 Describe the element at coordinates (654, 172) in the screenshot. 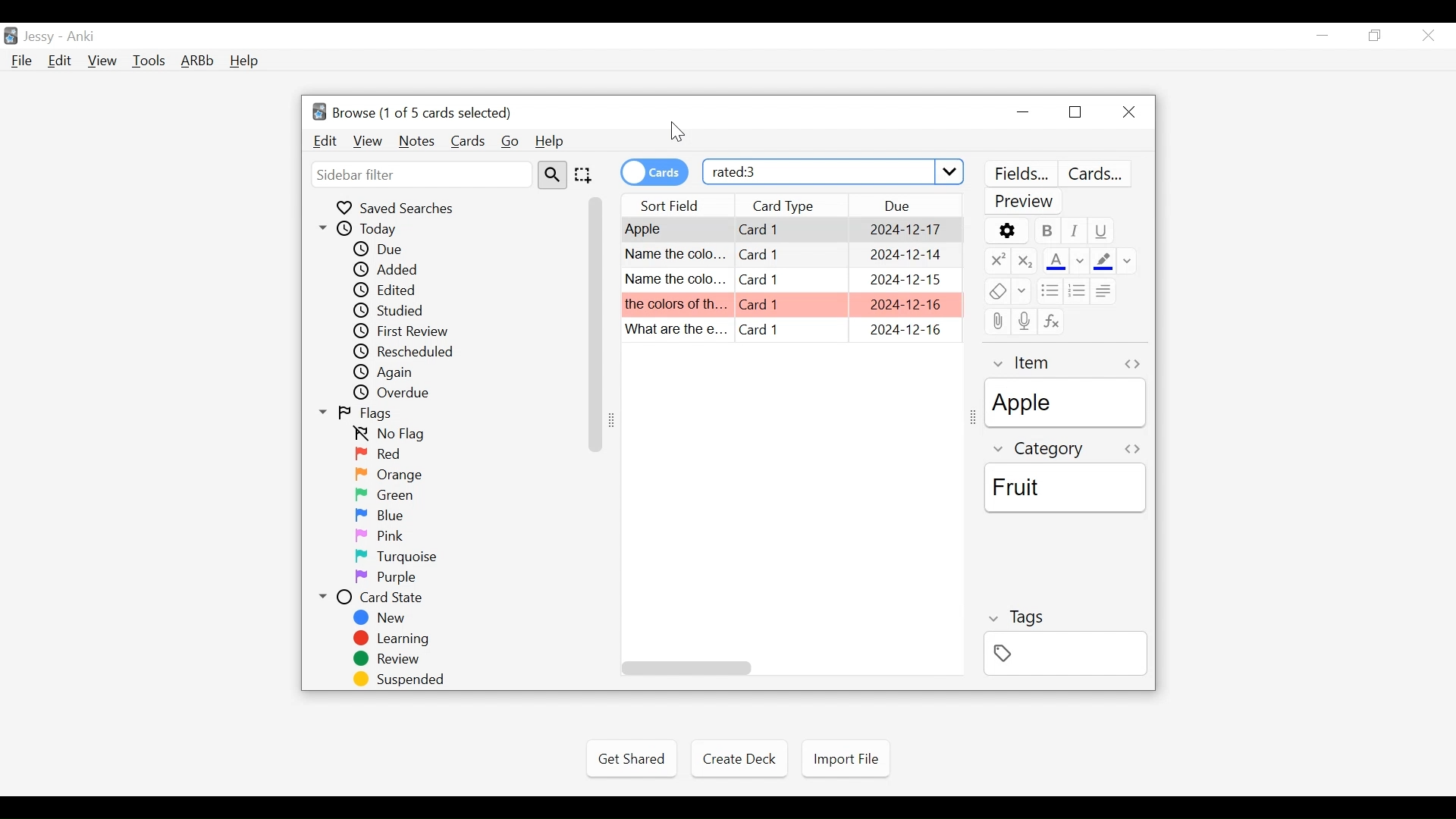

I see `Toggle Cards/Notes` at that location.